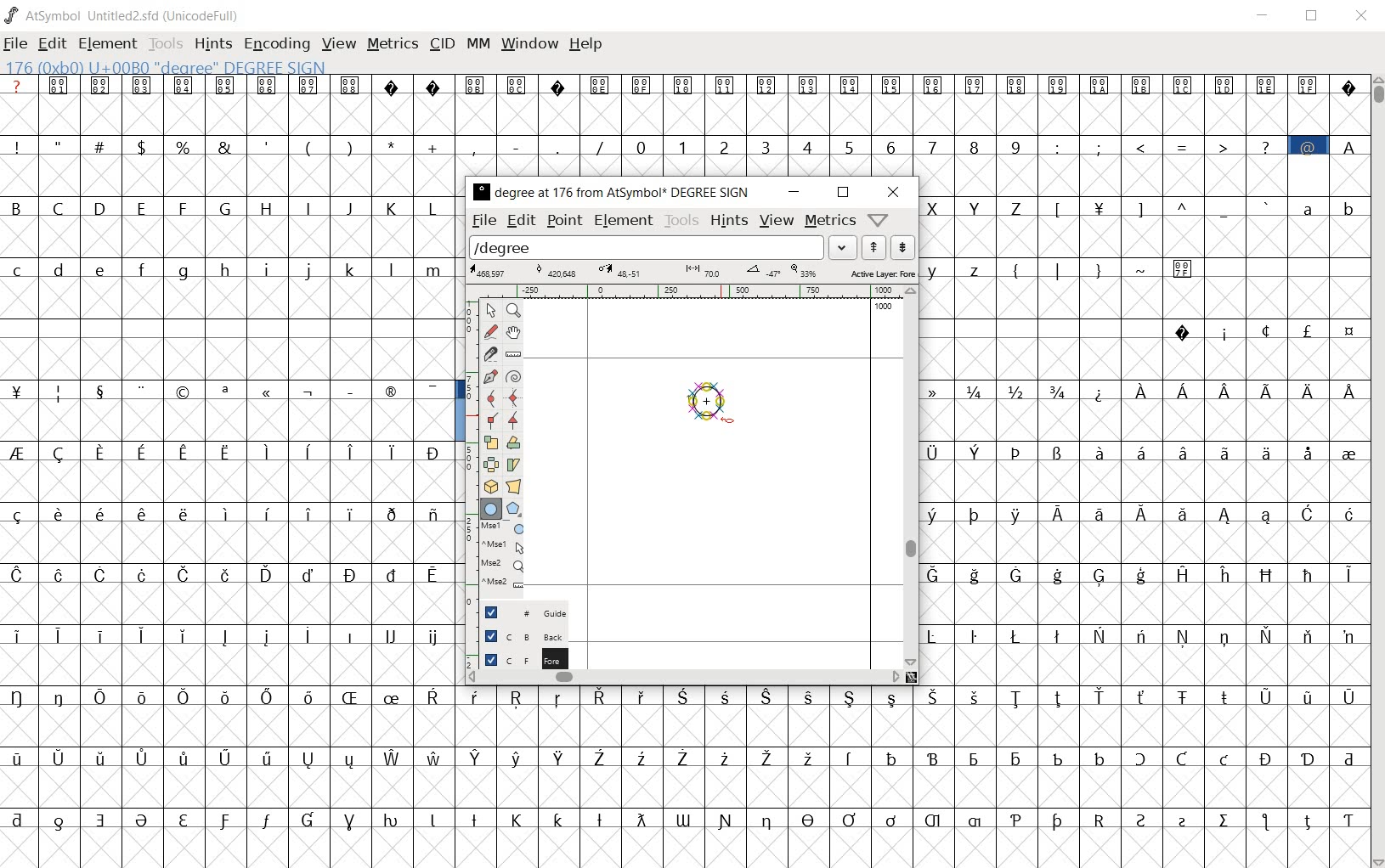 Image resolution: width=1385 pixels, height=868 pixels. Describe the element at coordinates (229, 392) in the screenshot. I see `special characters` at that location.